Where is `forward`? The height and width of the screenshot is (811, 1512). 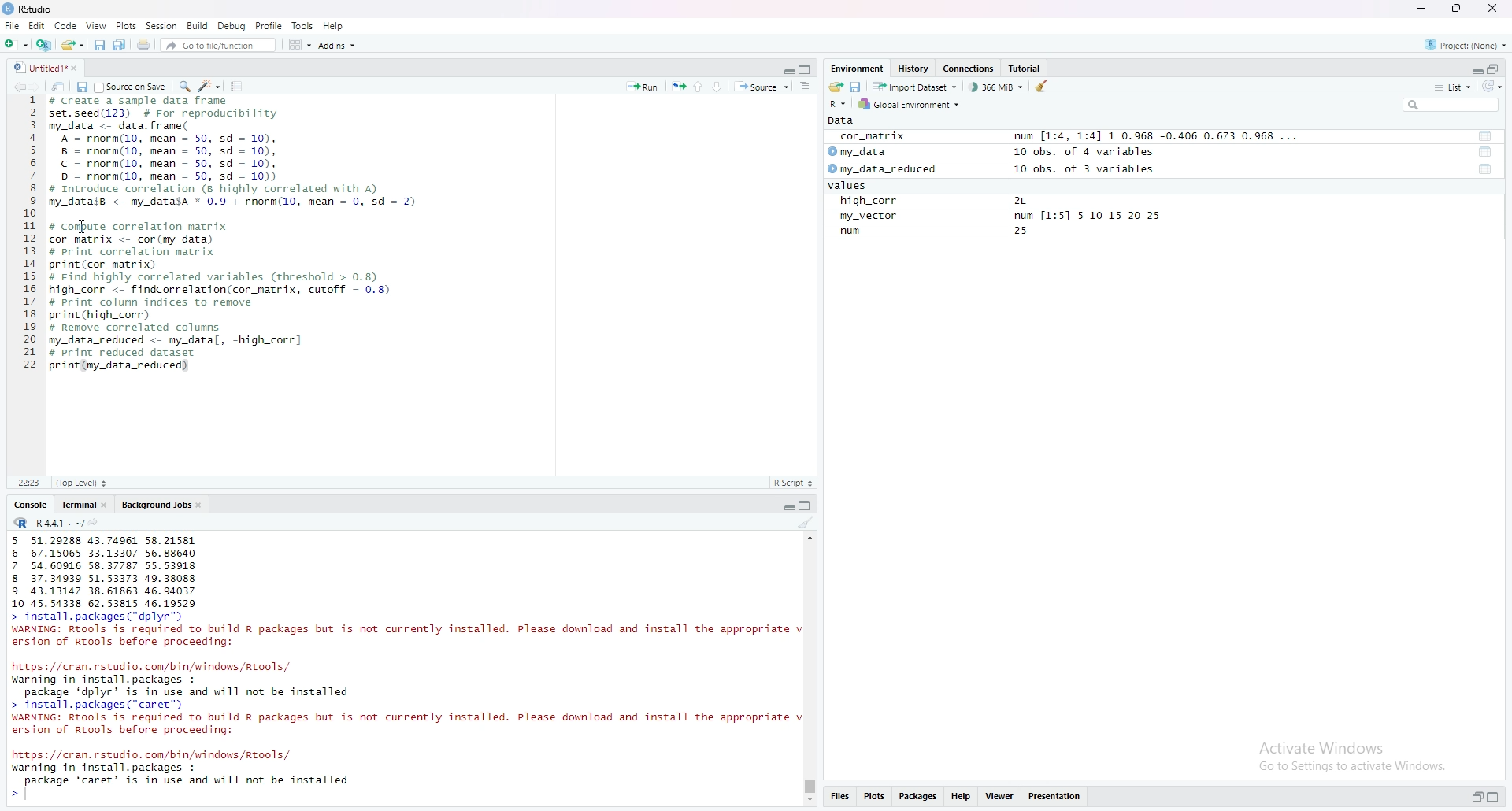 forward is located at coordinates (39, 87).